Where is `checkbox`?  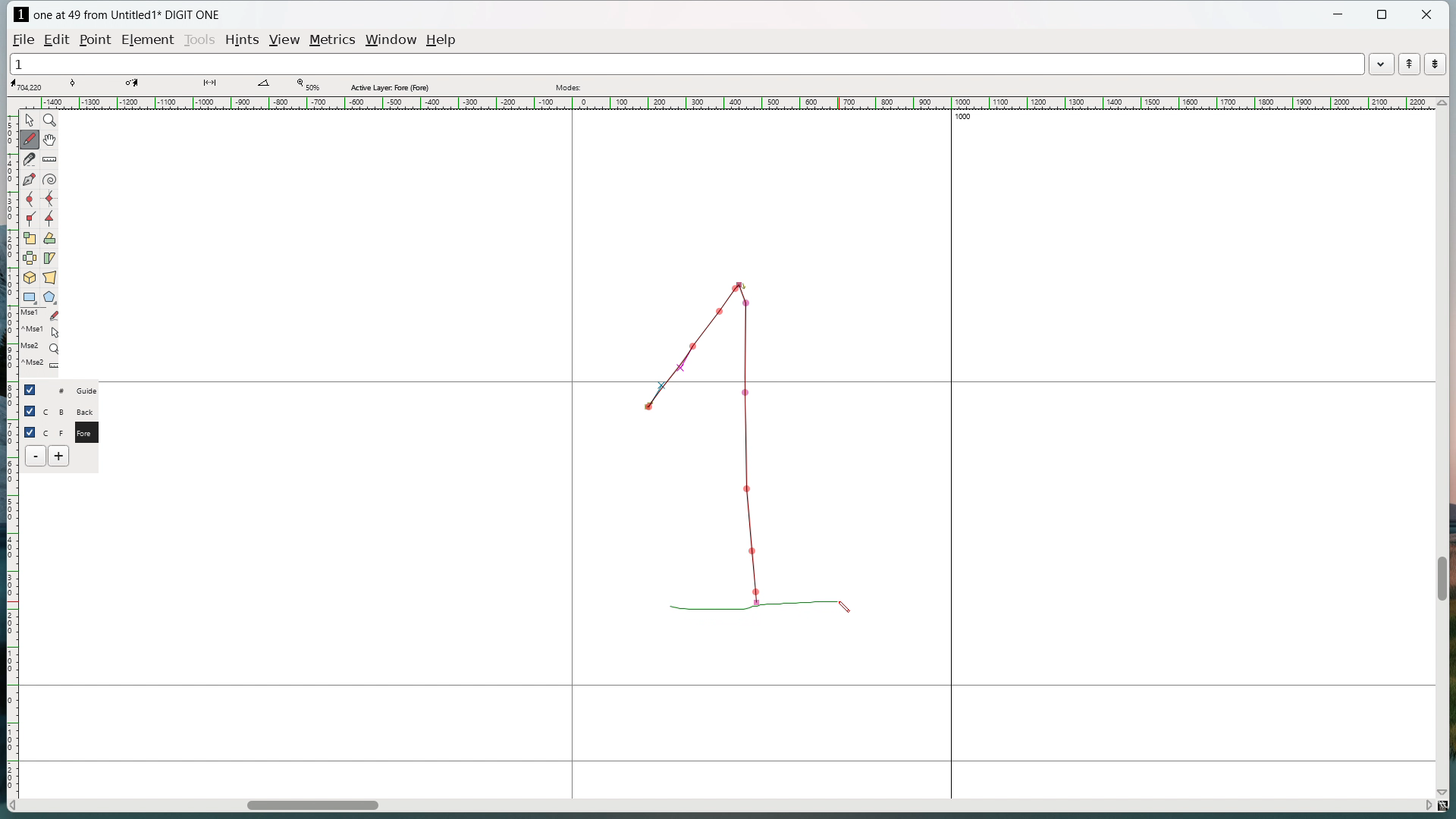 checkbox is located at coordinates (30, 411).